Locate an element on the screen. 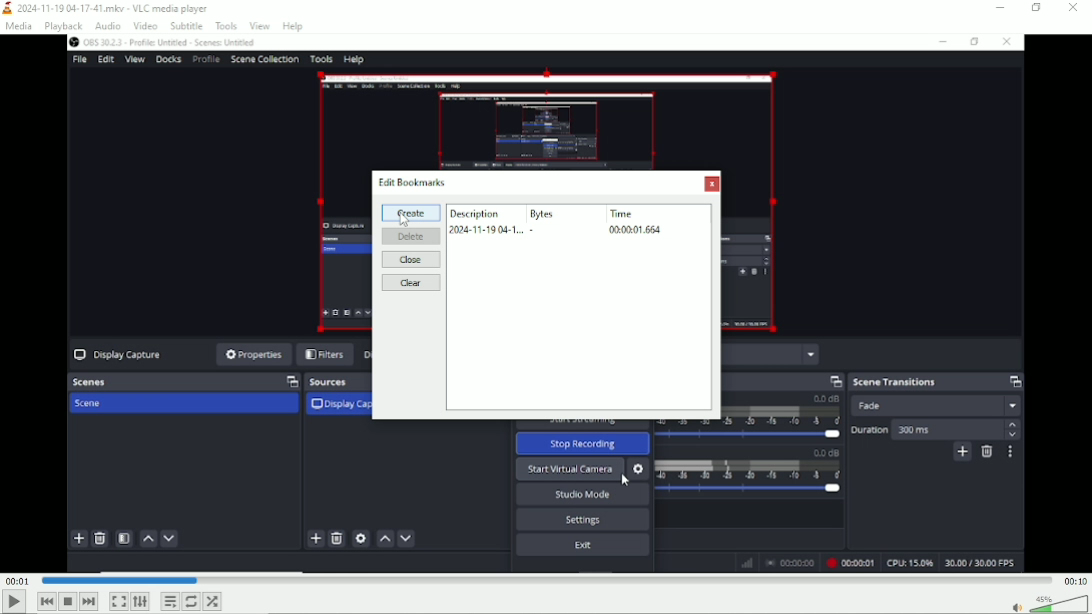  Bytes is located at coordinates (543, 212).